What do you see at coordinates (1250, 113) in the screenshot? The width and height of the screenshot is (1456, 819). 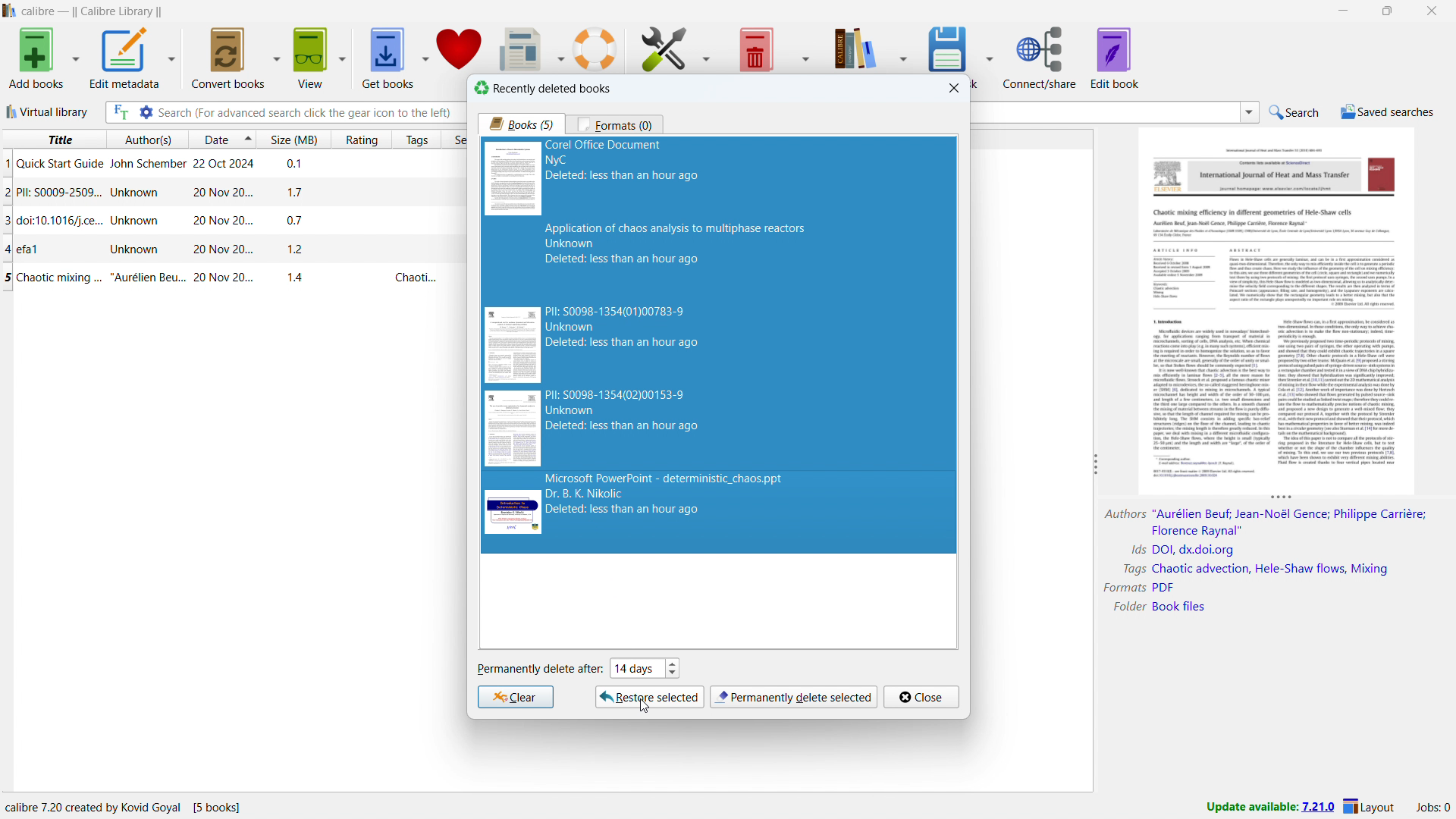 I see `search history` at bounding box center [1250, 113].